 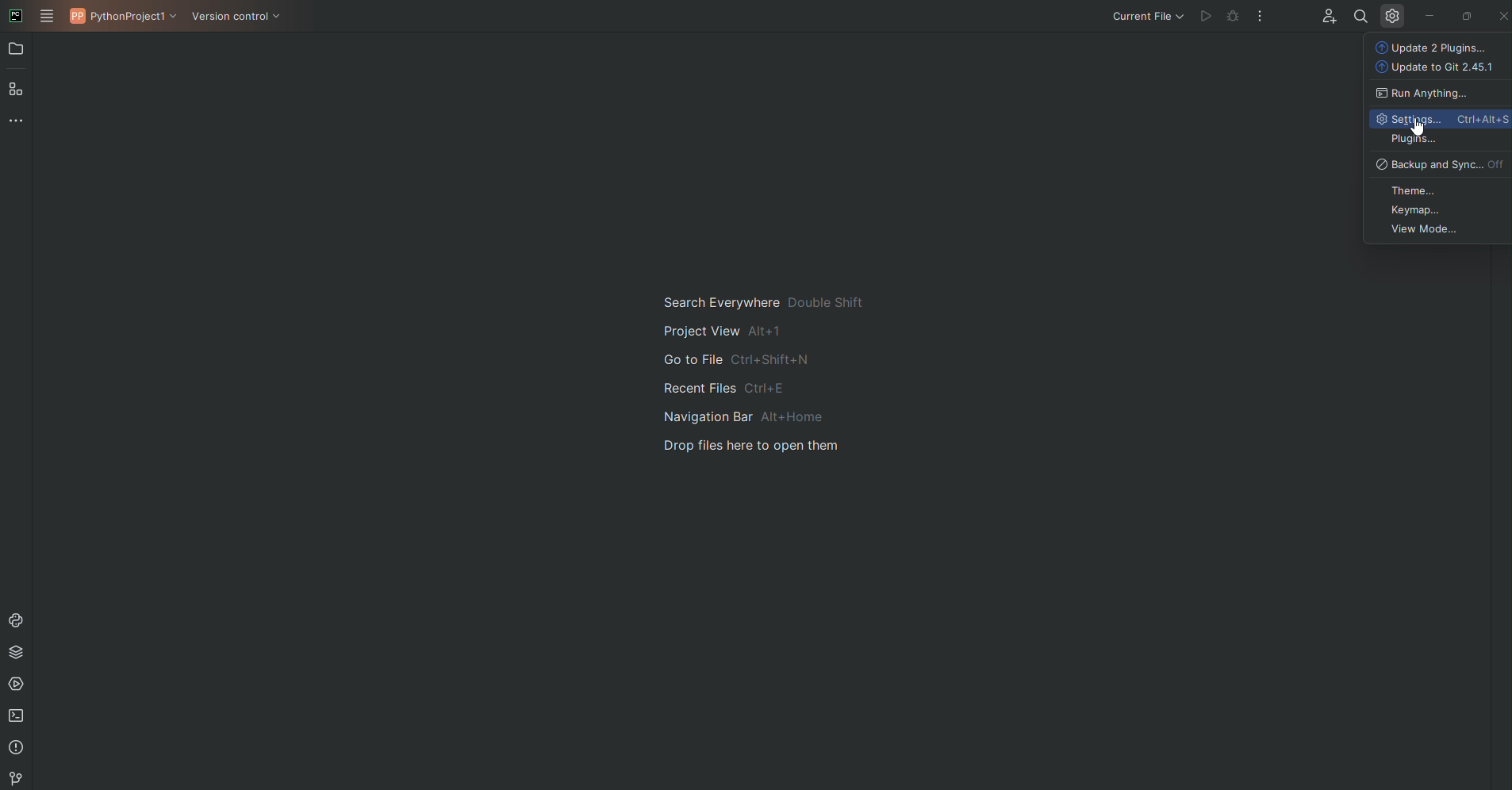 What do you see at coordinates (49, 16) in the screenshot?
I see `Main Menu` at bounding box center [49, 16].